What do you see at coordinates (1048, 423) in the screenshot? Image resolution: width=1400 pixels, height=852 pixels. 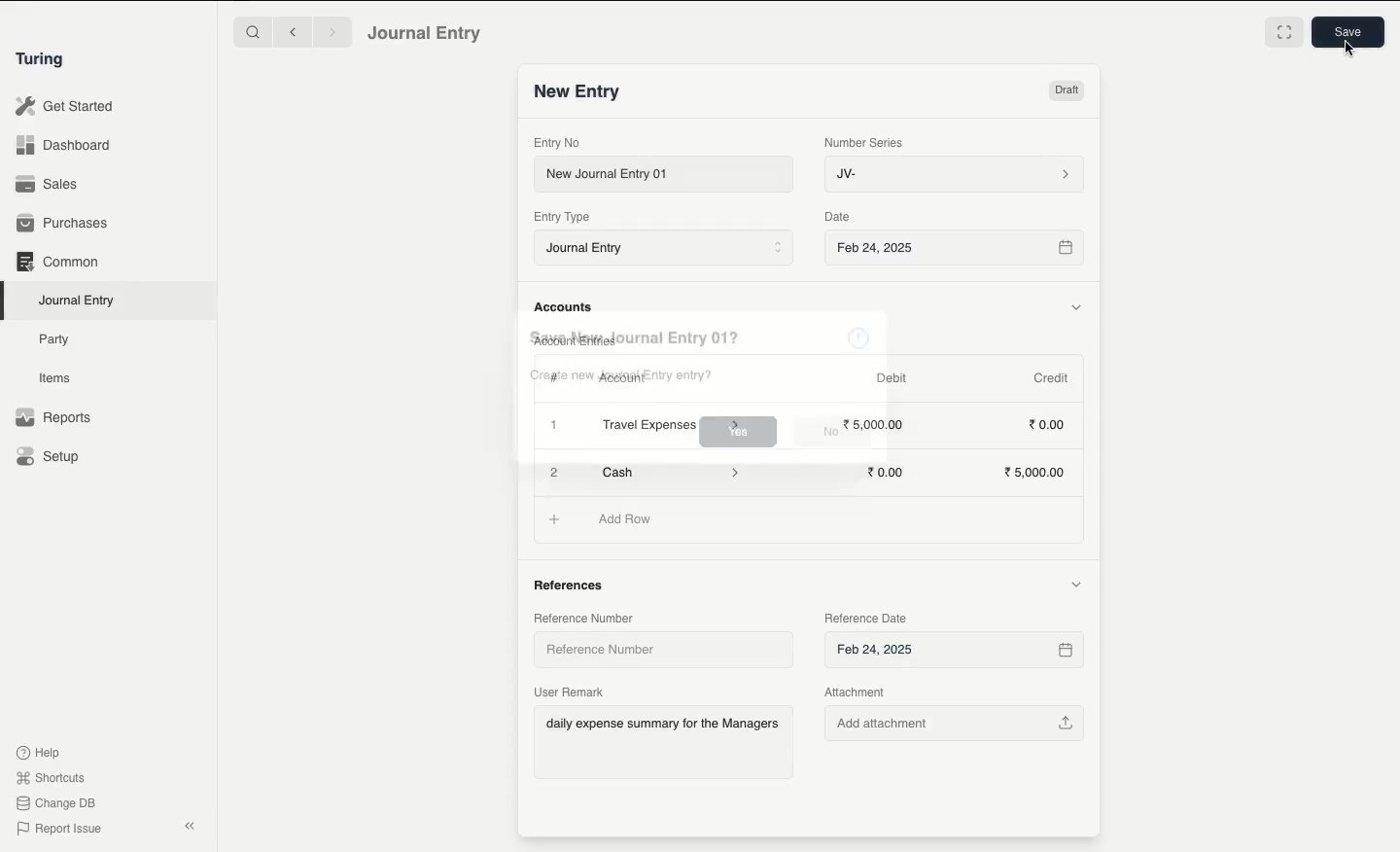 I see `0.00` at bounding box center [1048, 423].